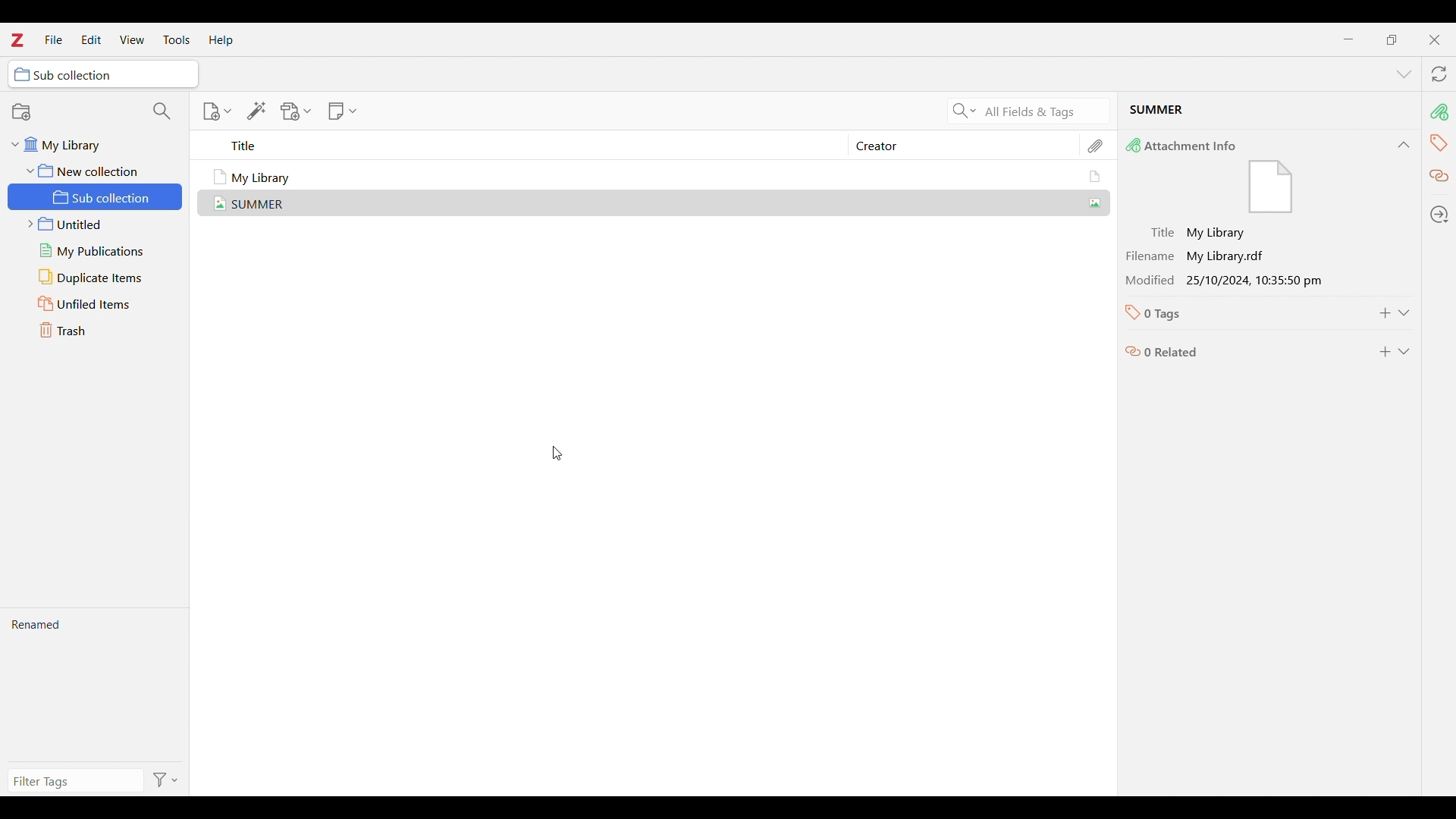 This screenshot has width=1456, height=819. What do you see at coordinates (1385, 352) in the screenshot?
I see `Add` at bounding box center [1385, 352].